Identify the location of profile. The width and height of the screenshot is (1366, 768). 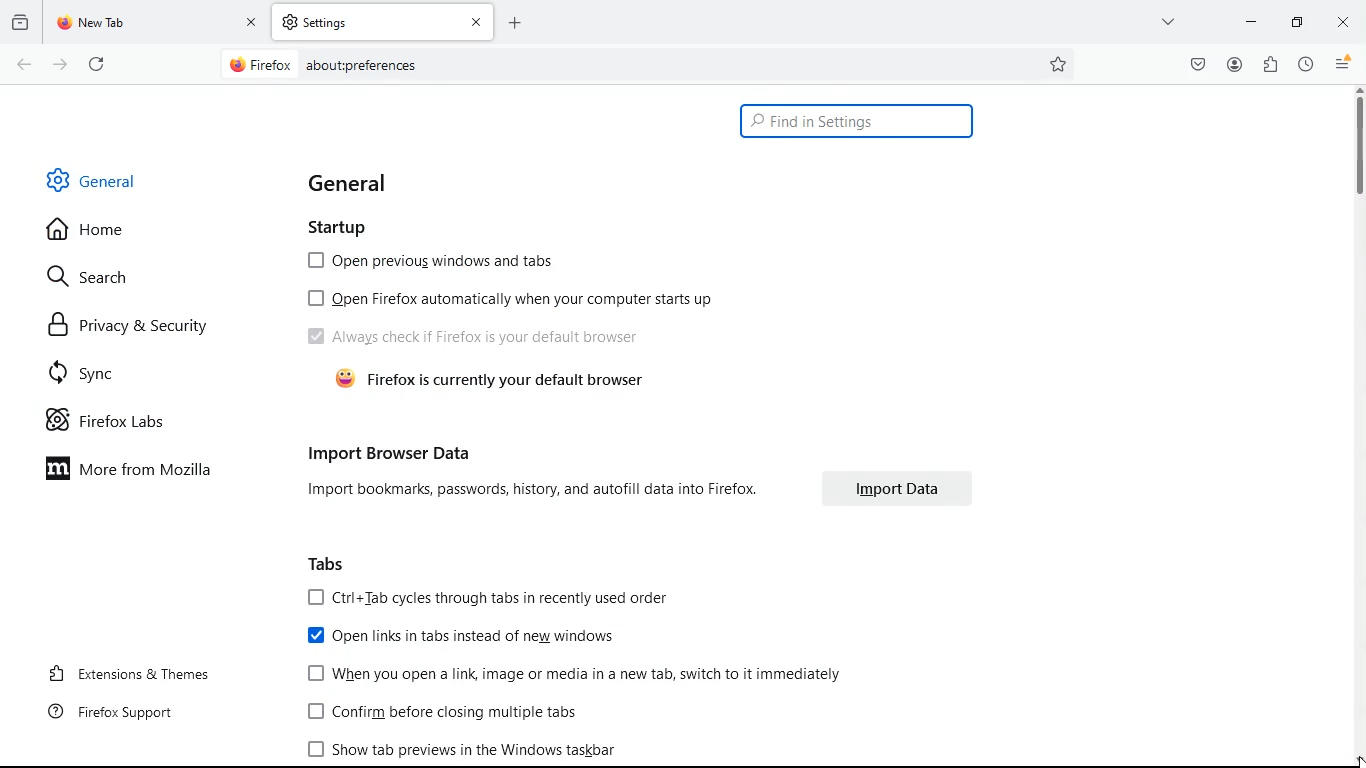
(1234, 64).